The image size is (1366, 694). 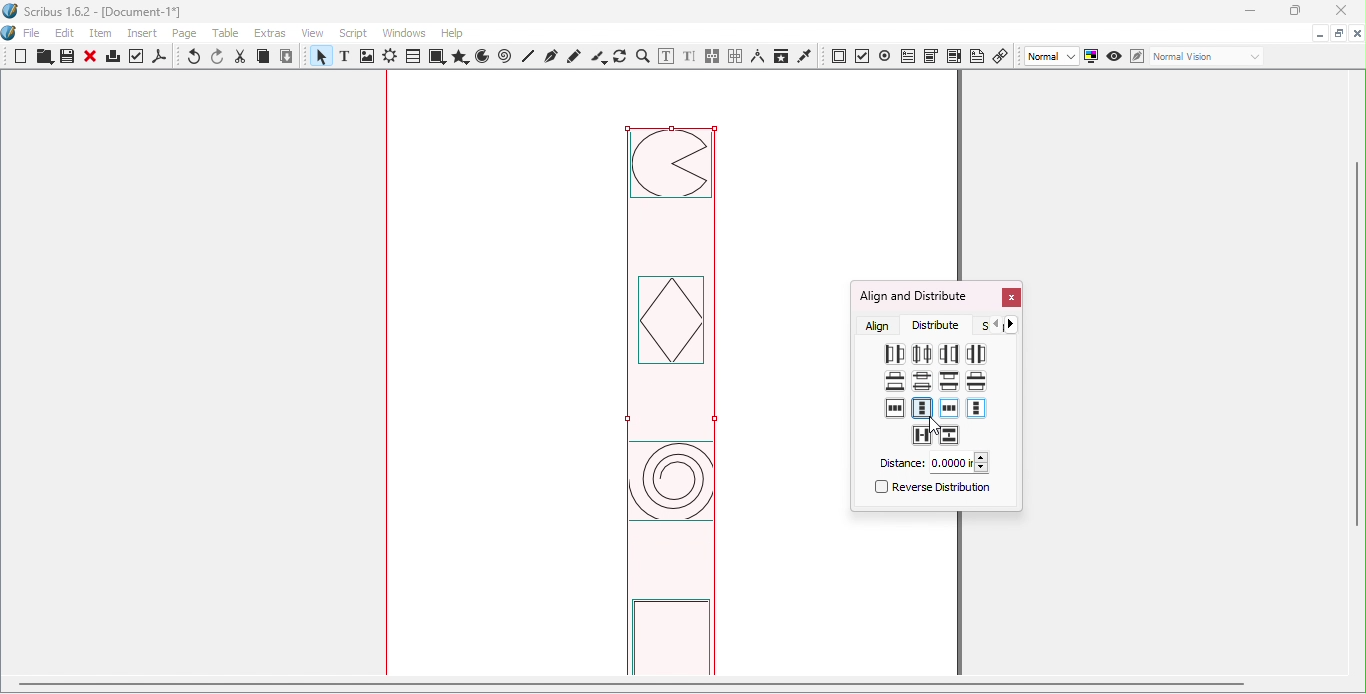 What do you see at coordinates (241, 57) in the screenshot?
I see `Cut` at bounding box center [241, 57].